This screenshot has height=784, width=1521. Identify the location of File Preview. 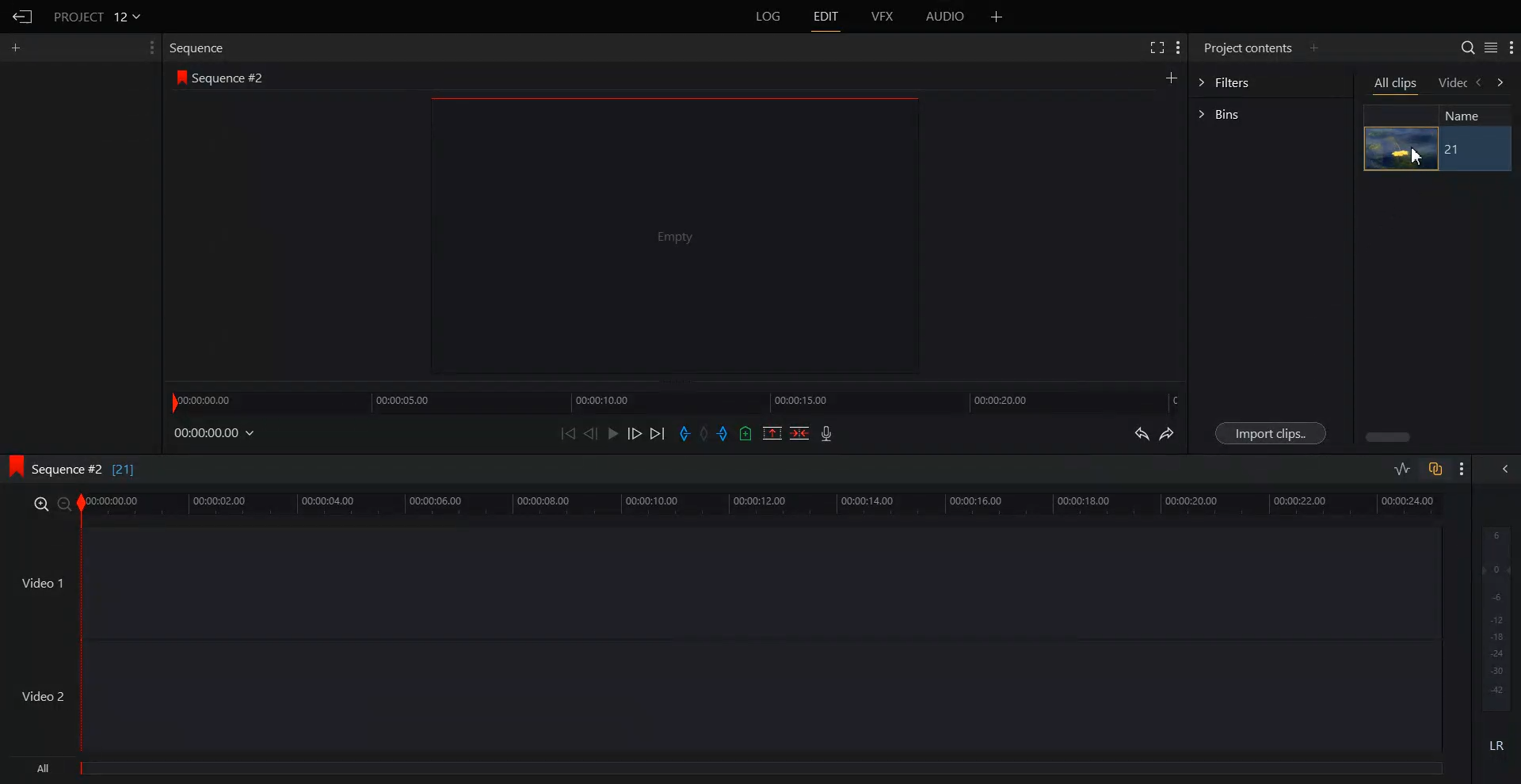
(665, 236).